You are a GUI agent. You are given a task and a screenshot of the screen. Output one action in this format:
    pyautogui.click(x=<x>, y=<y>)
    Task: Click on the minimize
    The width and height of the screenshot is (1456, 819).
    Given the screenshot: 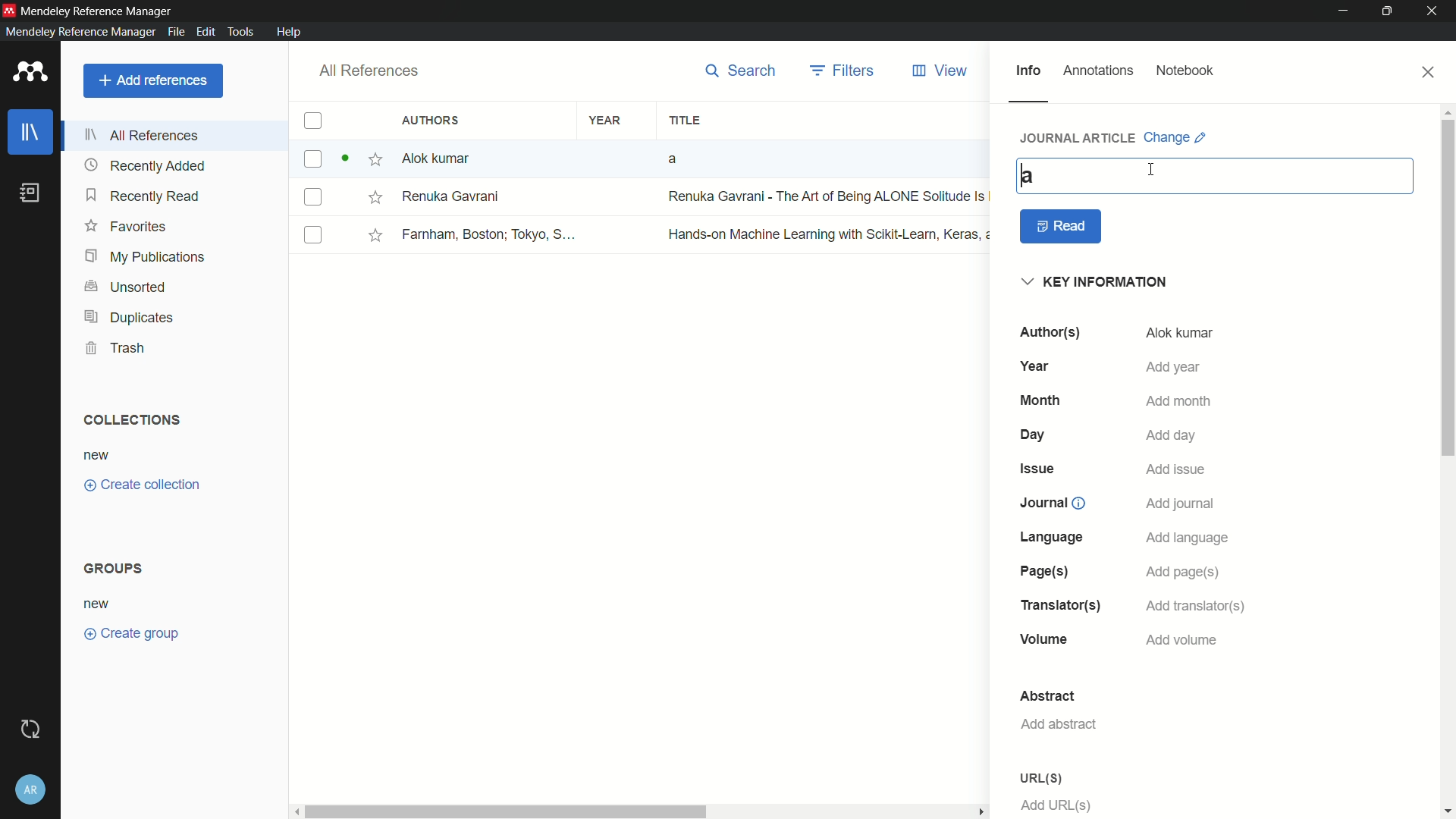 What is the action you would take?
    pyautogui.click(x=1344, y=11)
    